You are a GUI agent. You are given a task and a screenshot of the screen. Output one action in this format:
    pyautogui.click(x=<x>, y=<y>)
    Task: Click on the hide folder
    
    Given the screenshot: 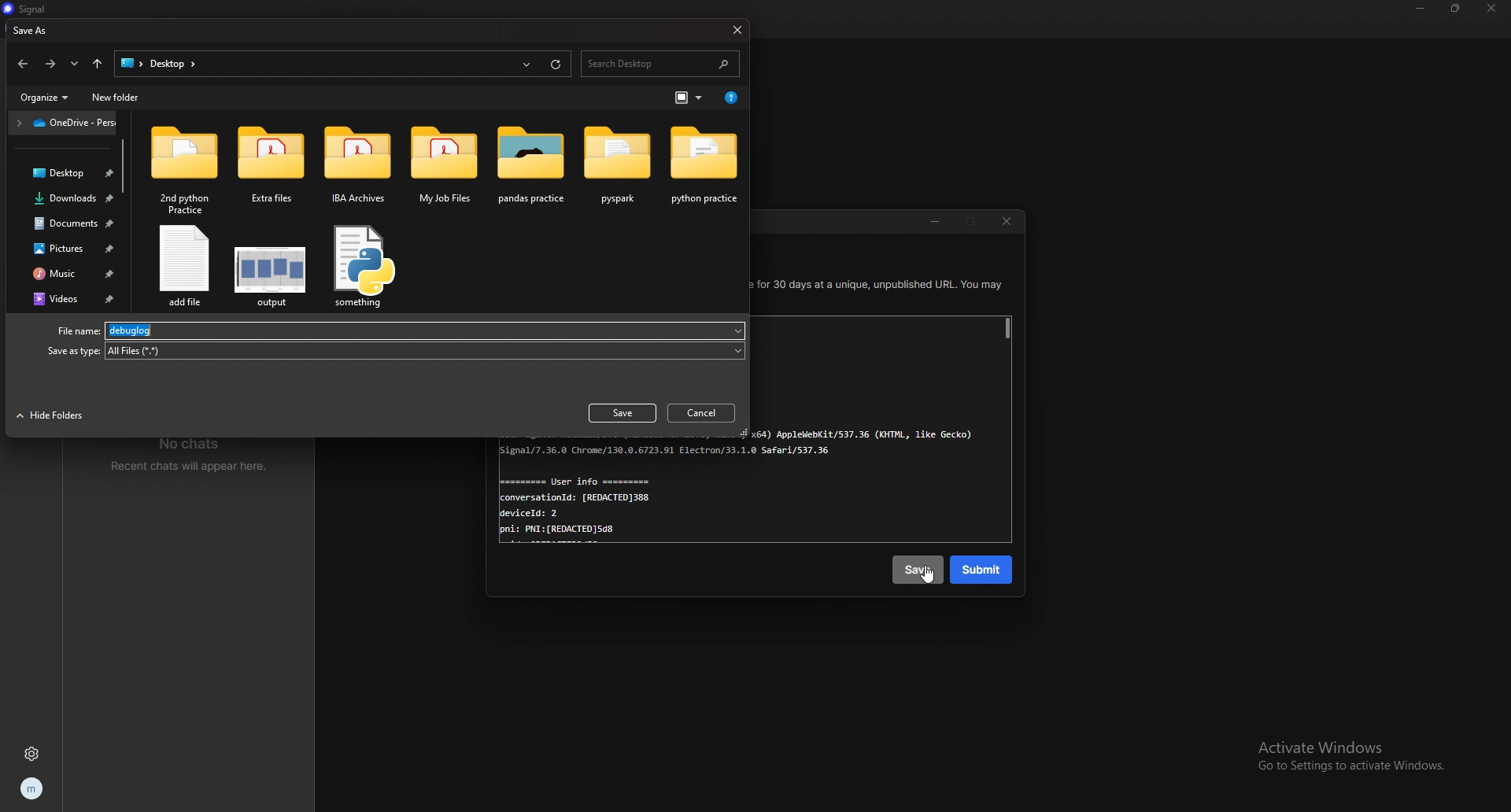 What is the action you would take?
    pyautogui.click(x=51, y=416)
    